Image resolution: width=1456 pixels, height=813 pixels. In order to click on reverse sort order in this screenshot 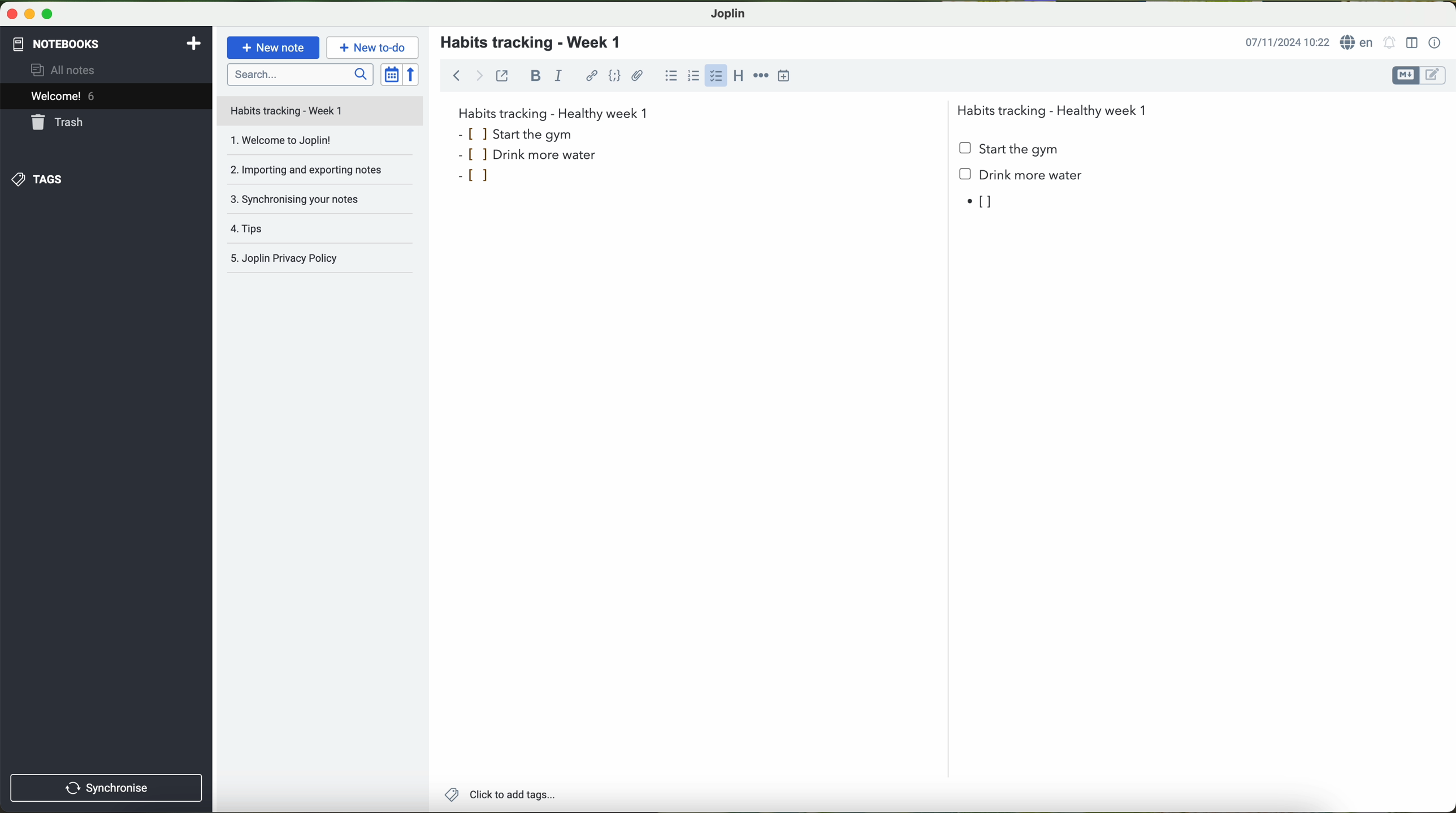, I will do `click(412, 74)`.